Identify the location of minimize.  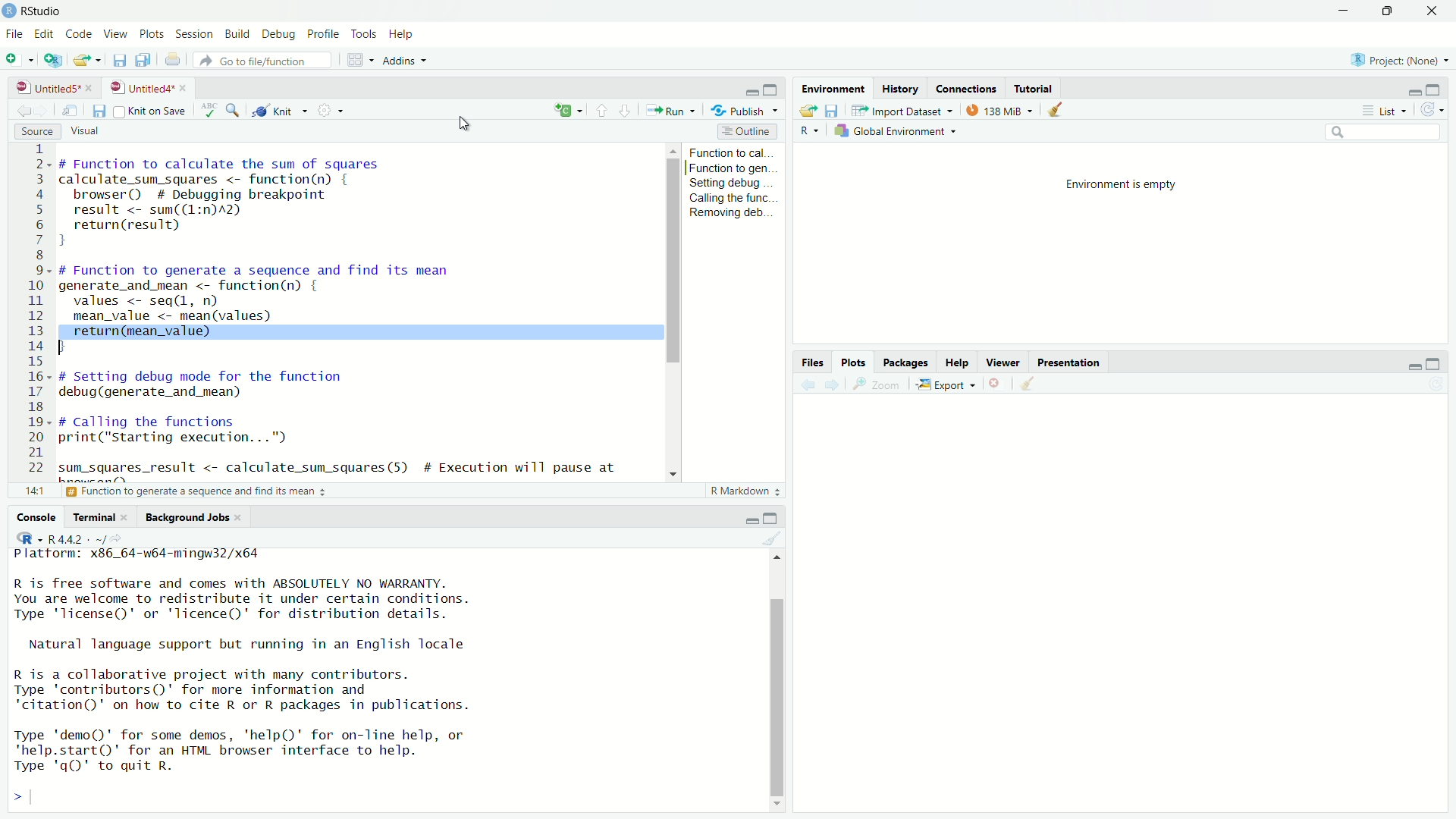
(1345, 10).